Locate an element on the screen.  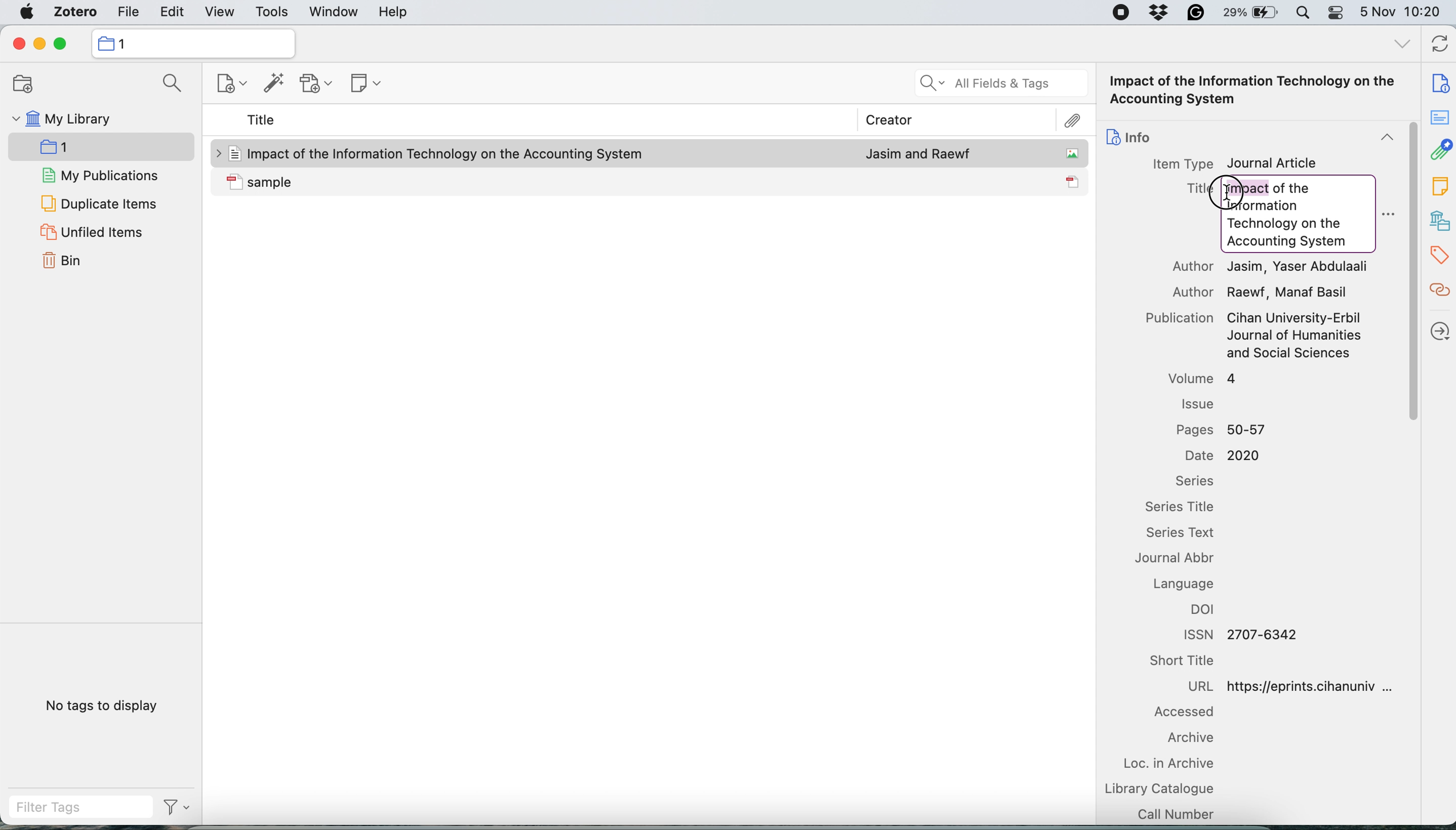
new collection is located at coordinates (99, 147).